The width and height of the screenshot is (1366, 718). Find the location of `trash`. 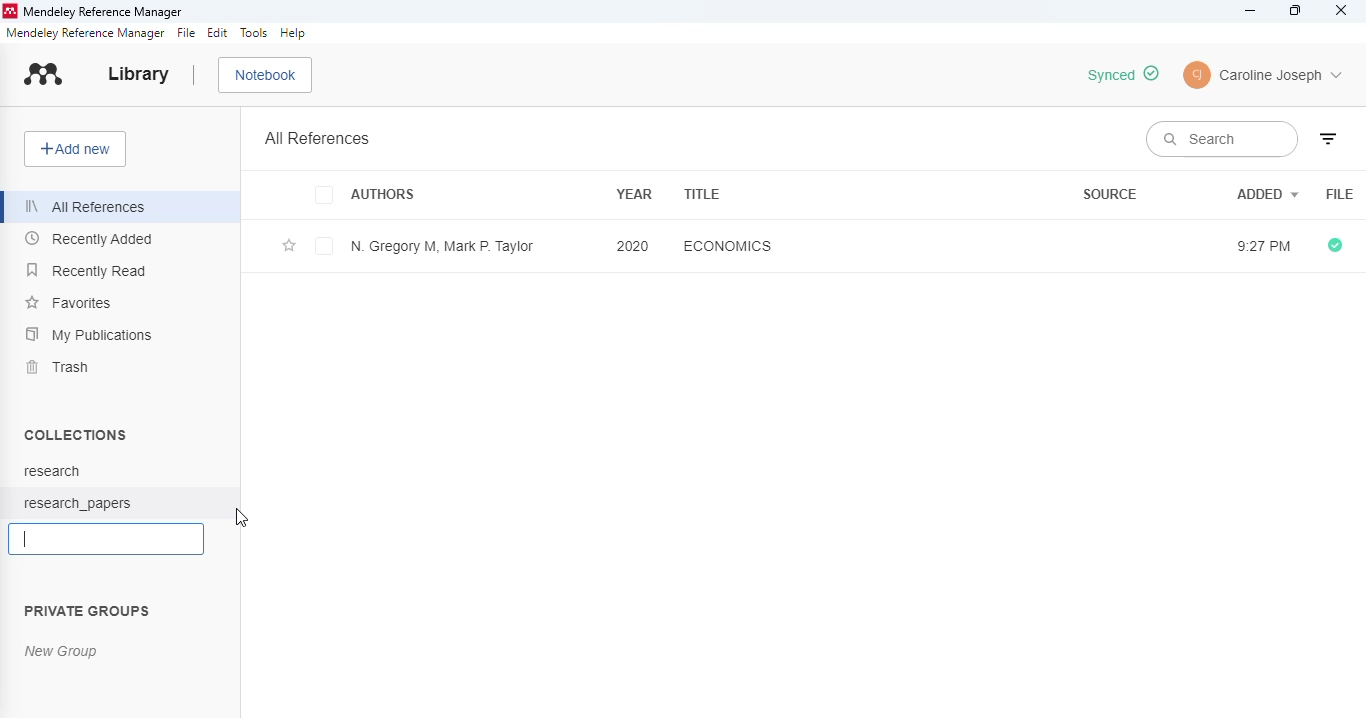

trash is located at coordinates (59, 367).